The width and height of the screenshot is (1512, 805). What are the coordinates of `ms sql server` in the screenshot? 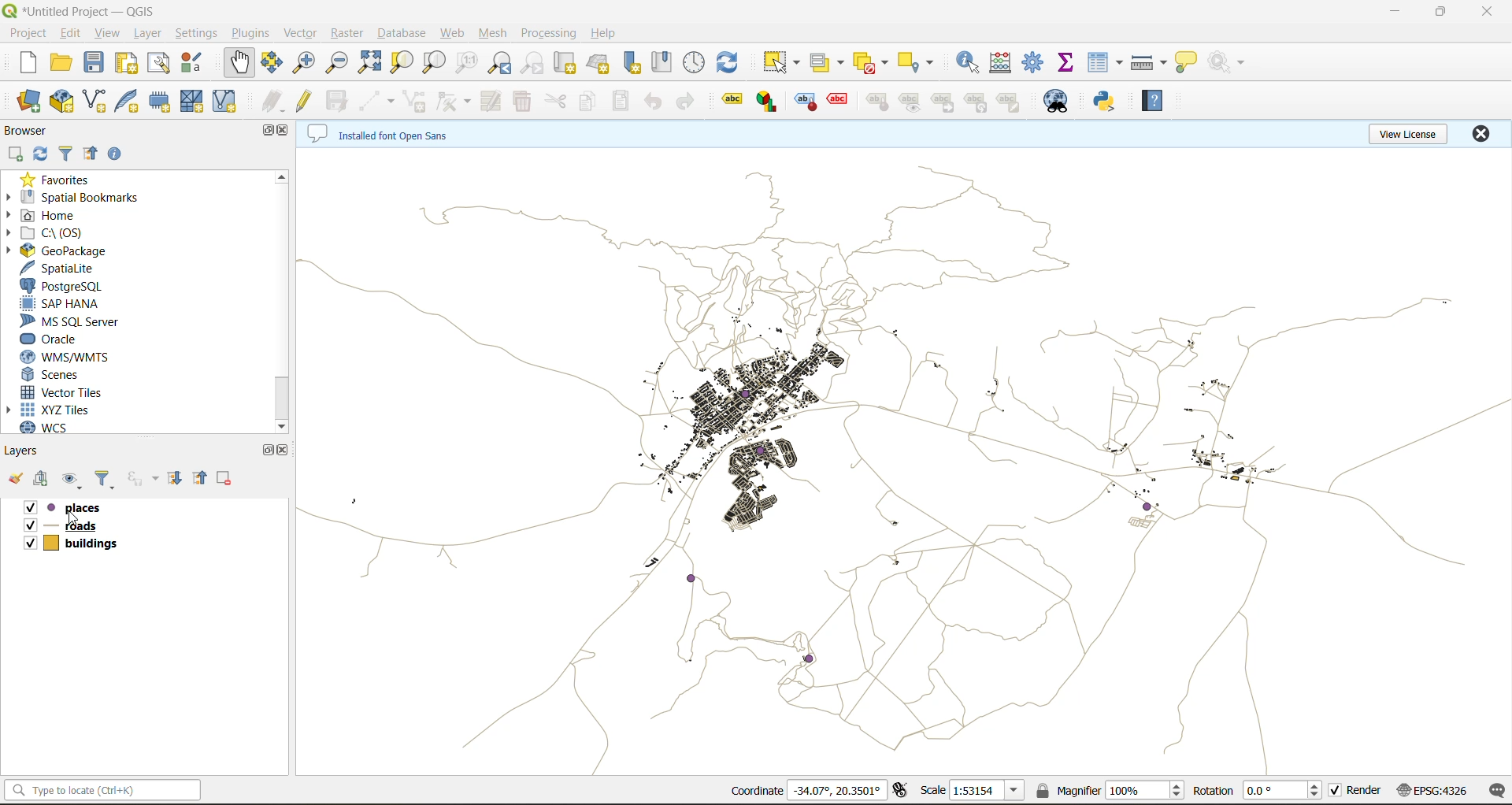 It's located at (73, 321).